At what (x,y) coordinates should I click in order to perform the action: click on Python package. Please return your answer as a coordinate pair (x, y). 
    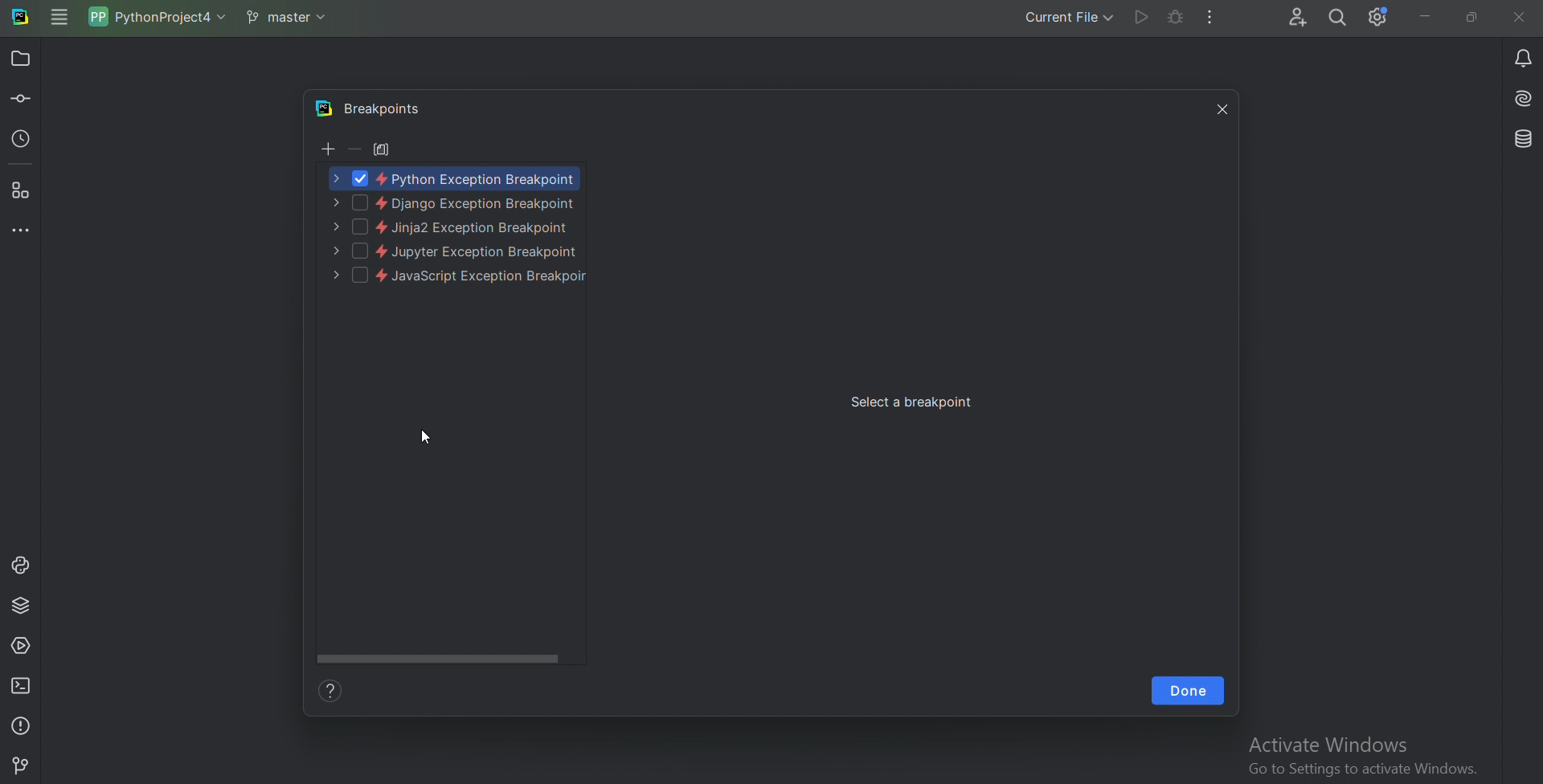
    Looking at the image, I should click on (23, 606).